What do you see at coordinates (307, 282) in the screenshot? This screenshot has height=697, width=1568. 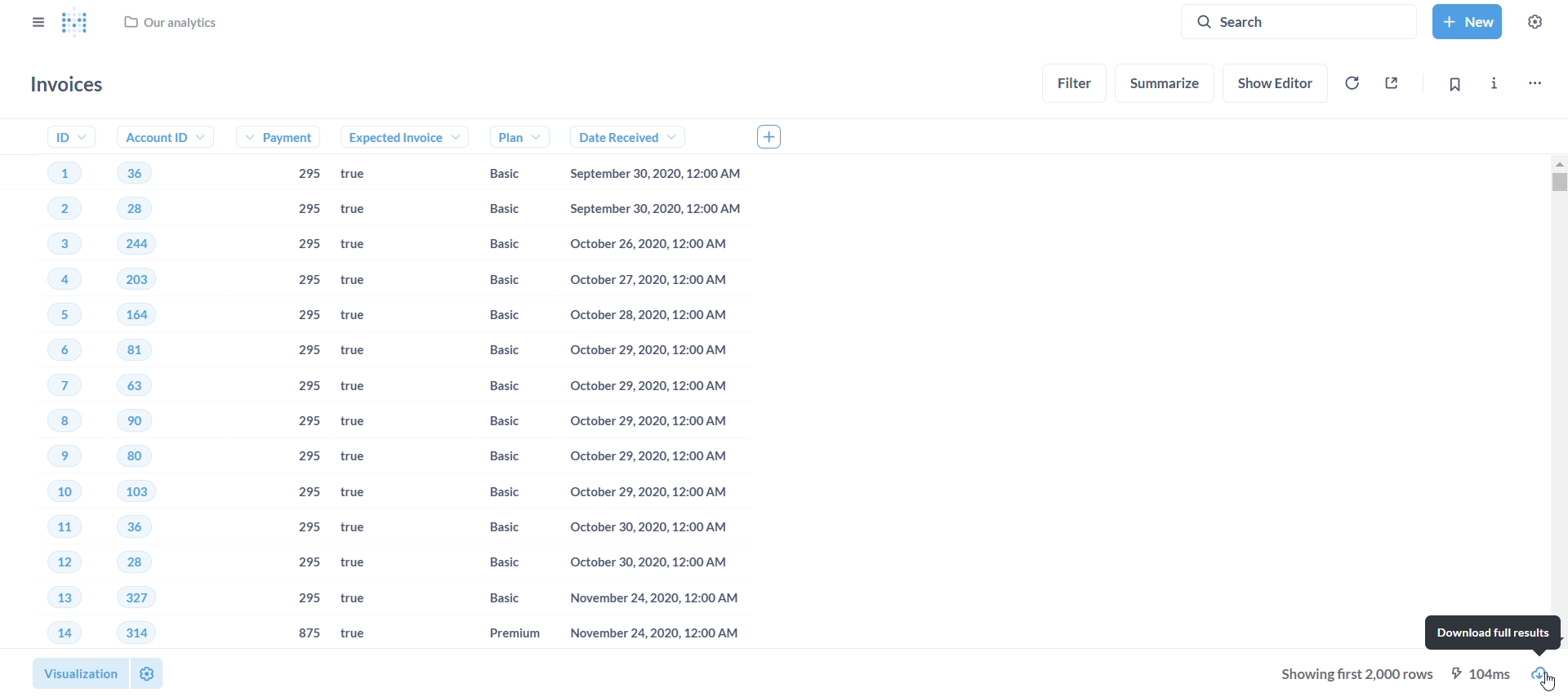 I see `295` at bounding box center [307, 282].